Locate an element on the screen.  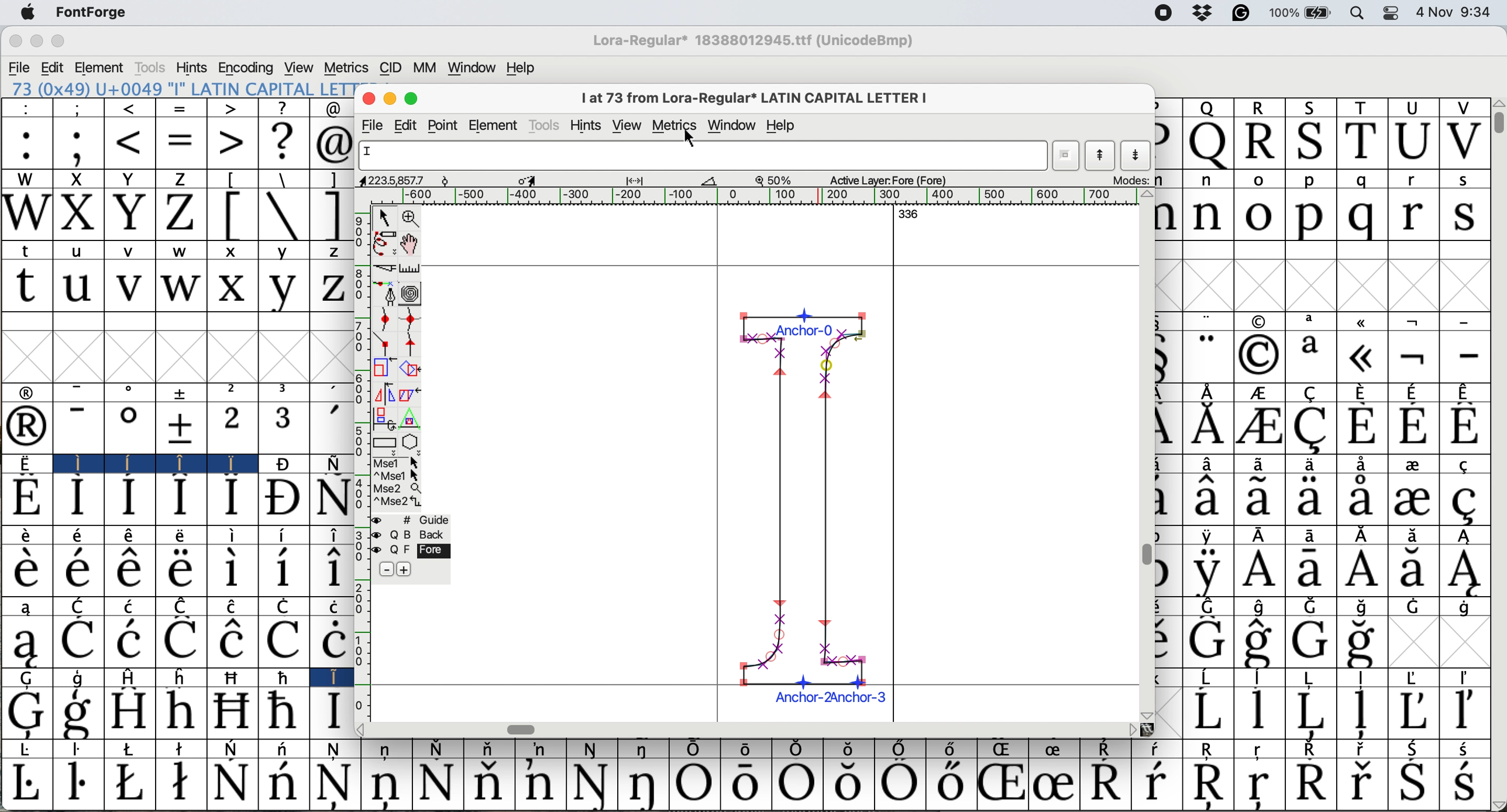
Symbol is located at coordinates (80, 713).